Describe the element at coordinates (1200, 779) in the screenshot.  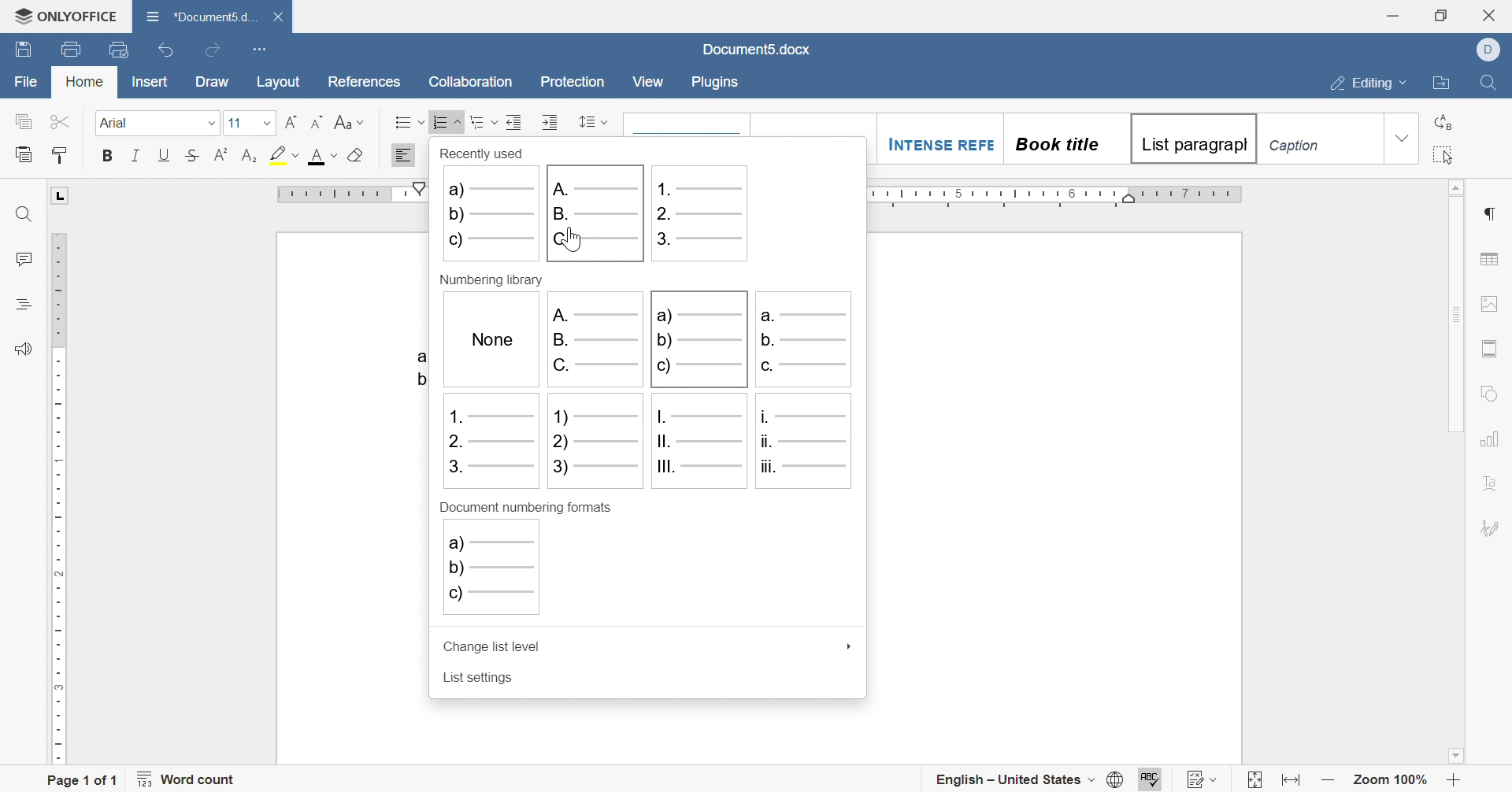
I see `track changes` at that location.